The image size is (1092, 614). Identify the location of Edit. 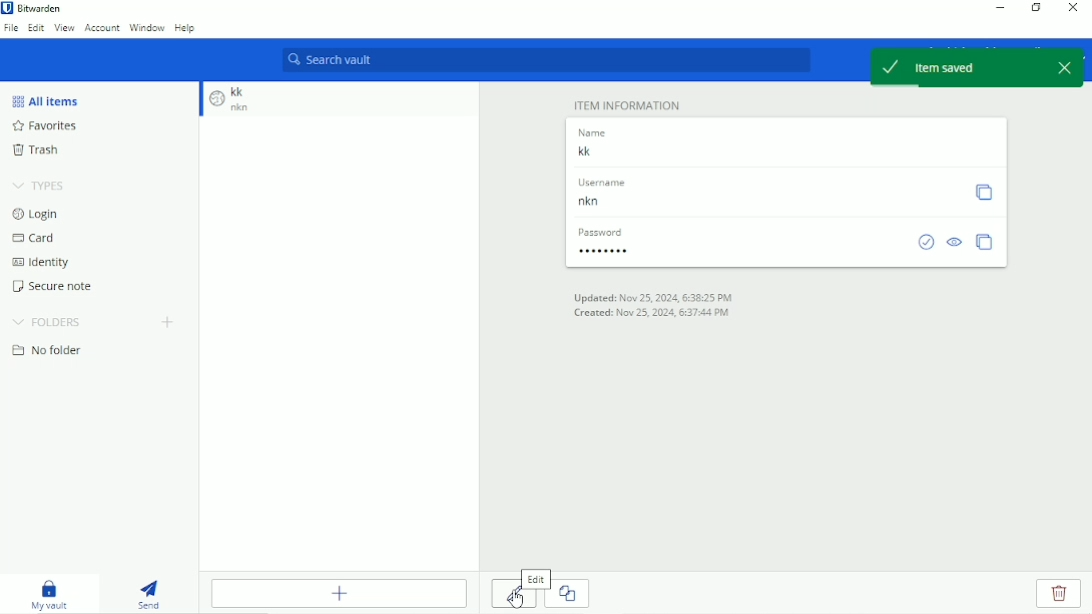
(36, 27).